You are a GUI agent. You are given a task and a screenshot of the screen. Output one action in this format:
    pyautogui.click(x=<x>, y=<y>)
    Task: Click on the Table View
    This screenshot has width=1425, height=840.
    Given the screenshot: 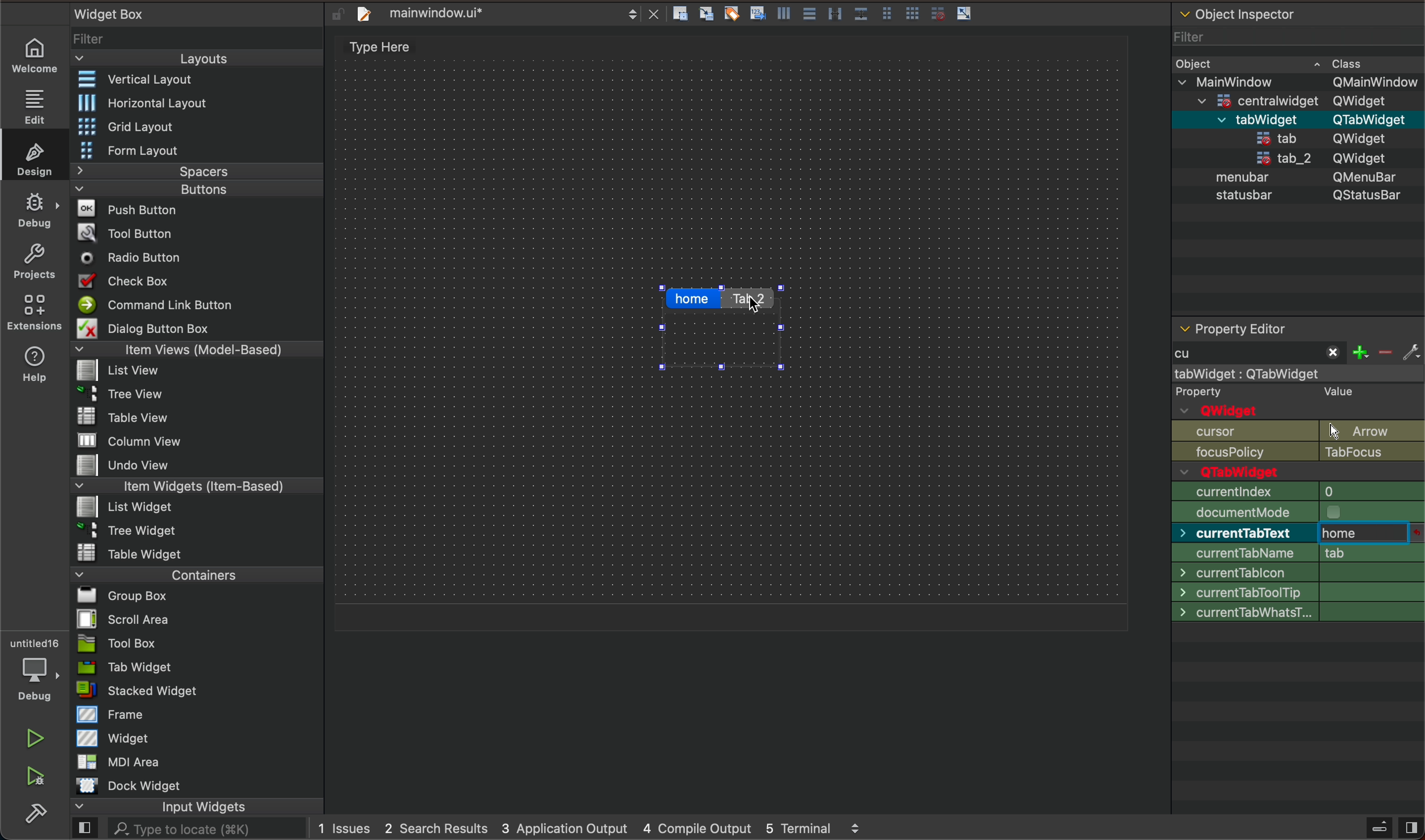 What is the action you would take?
    pyautogui.click(x=109, y=413)
    